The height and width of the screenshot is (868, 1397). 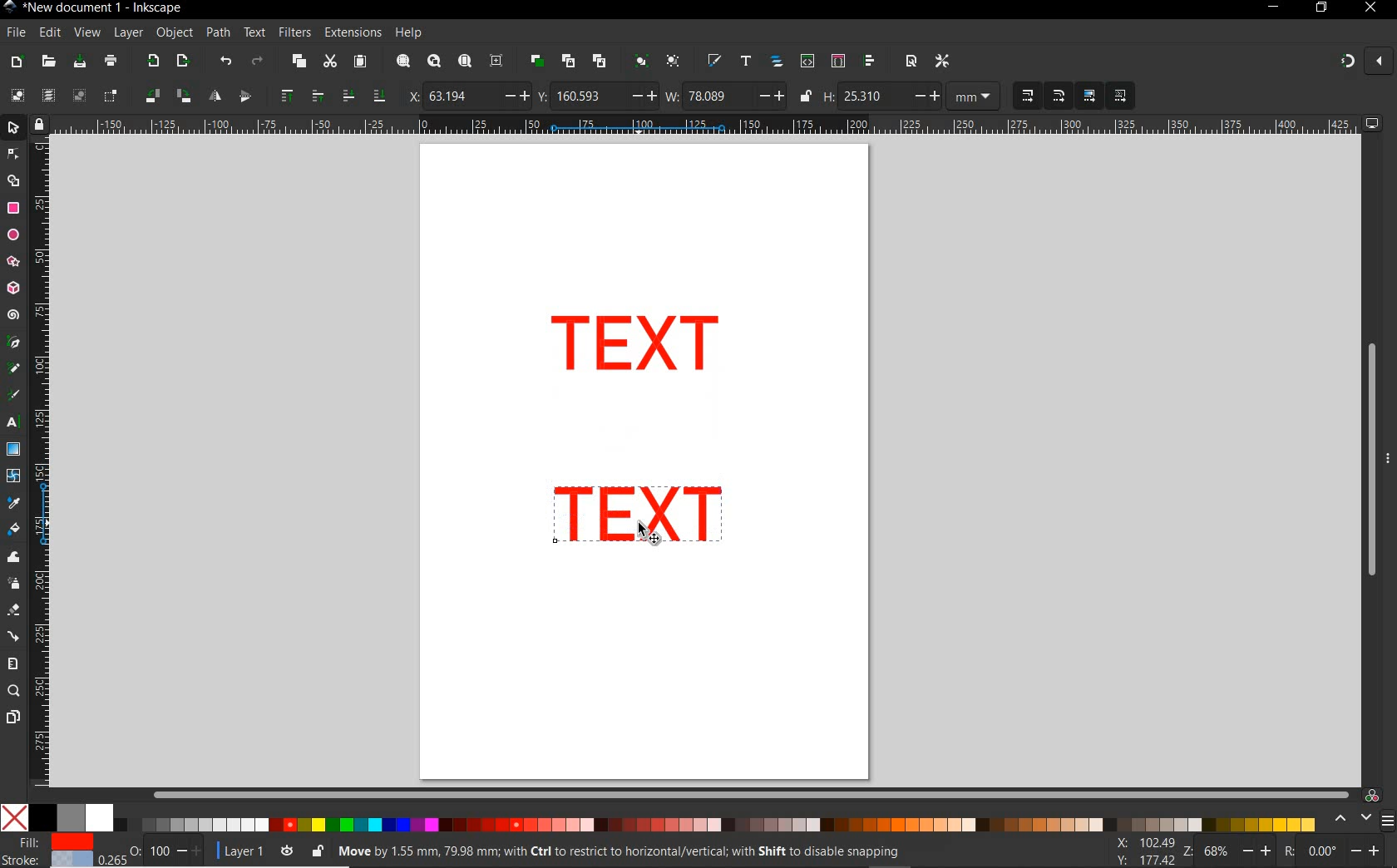 What do you see at coordinates (1224, 851) in the screenshot?
I see `zoom` at bounding box center [1224, 851].